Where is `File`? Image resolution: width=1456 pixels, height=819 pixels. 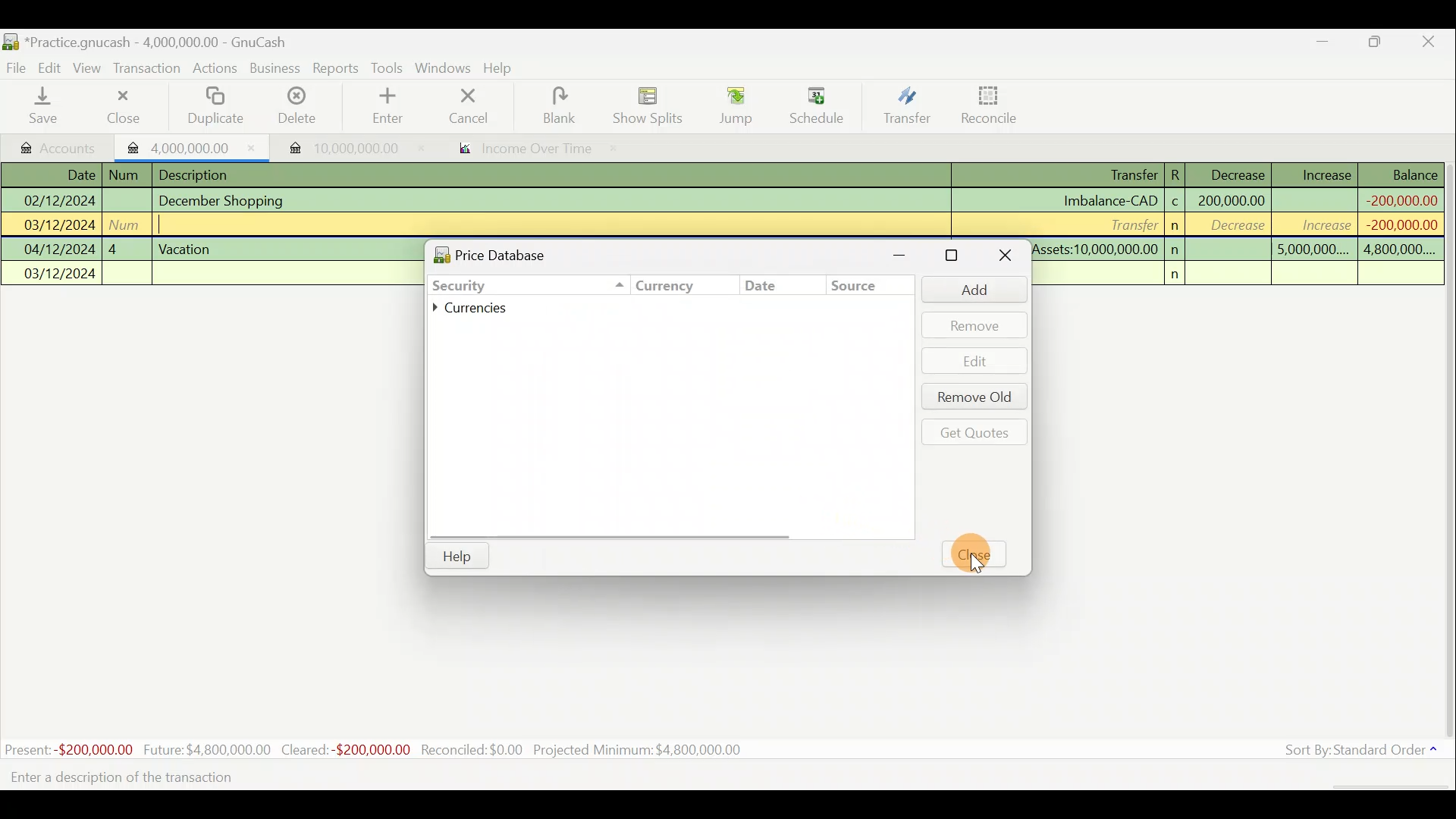 File is located at coordinates (17, 65).